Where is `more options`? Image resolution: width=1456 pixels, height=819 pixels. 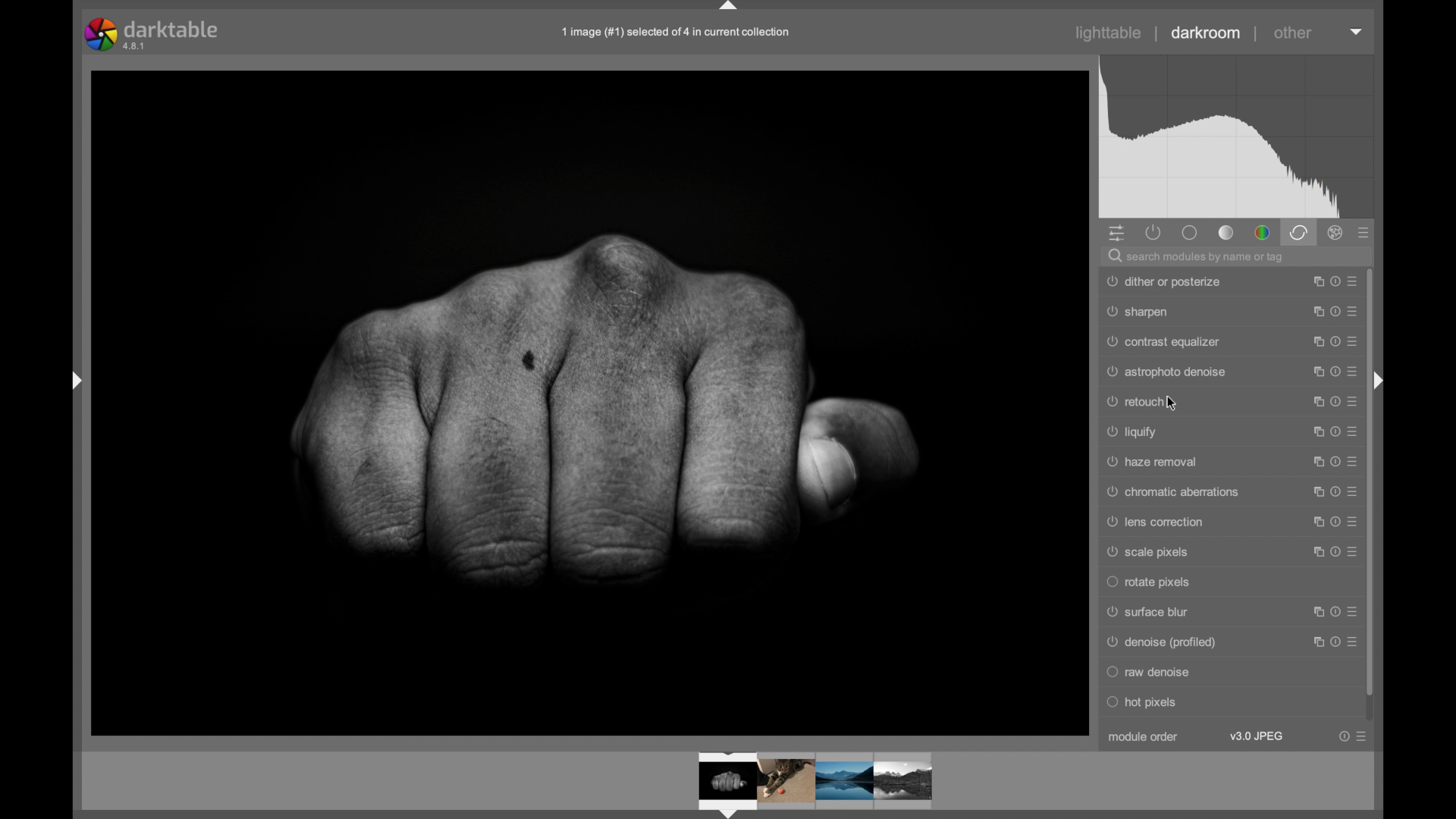 more options is located at coordinates (1351, 553).